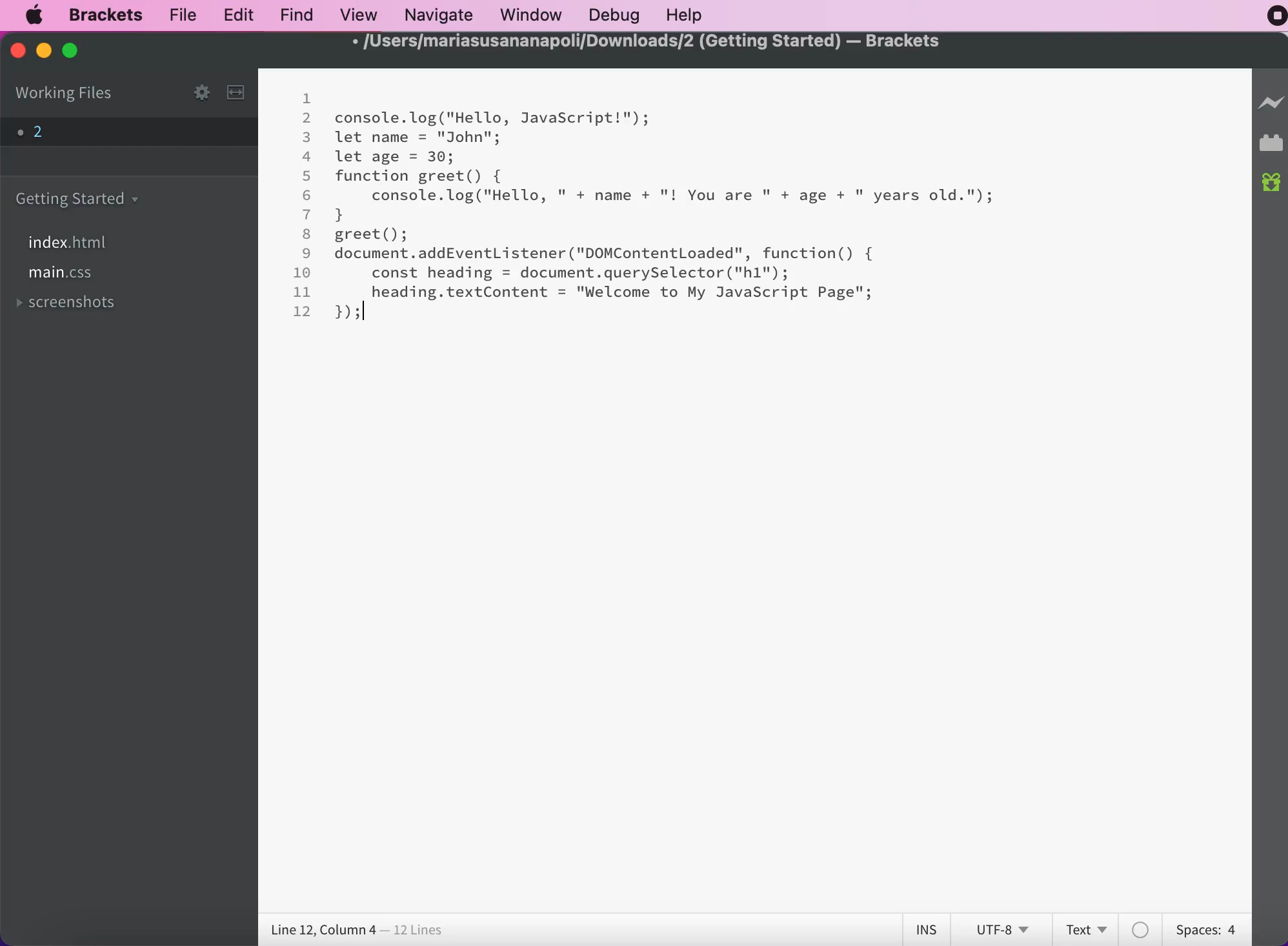  I want to click on brackets, so click(99, 17).